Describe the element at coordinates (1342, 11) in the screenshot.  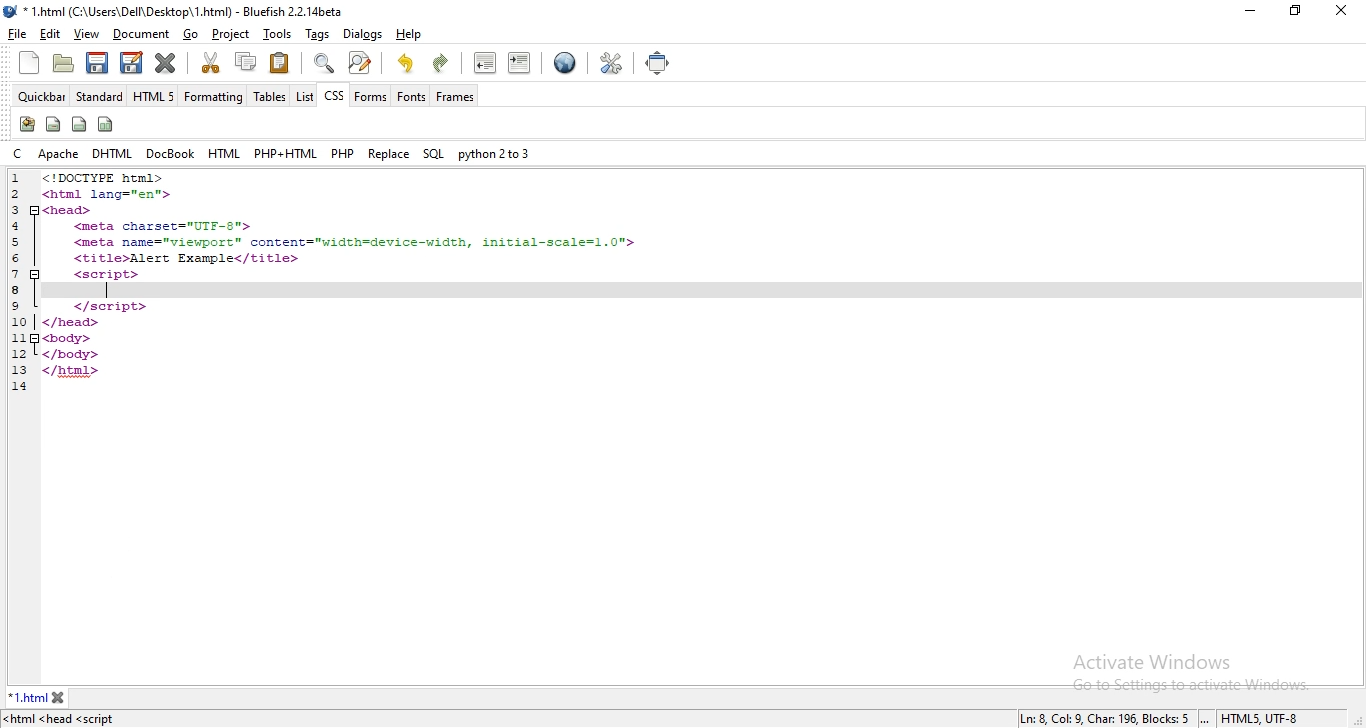
I see `close` at that location.